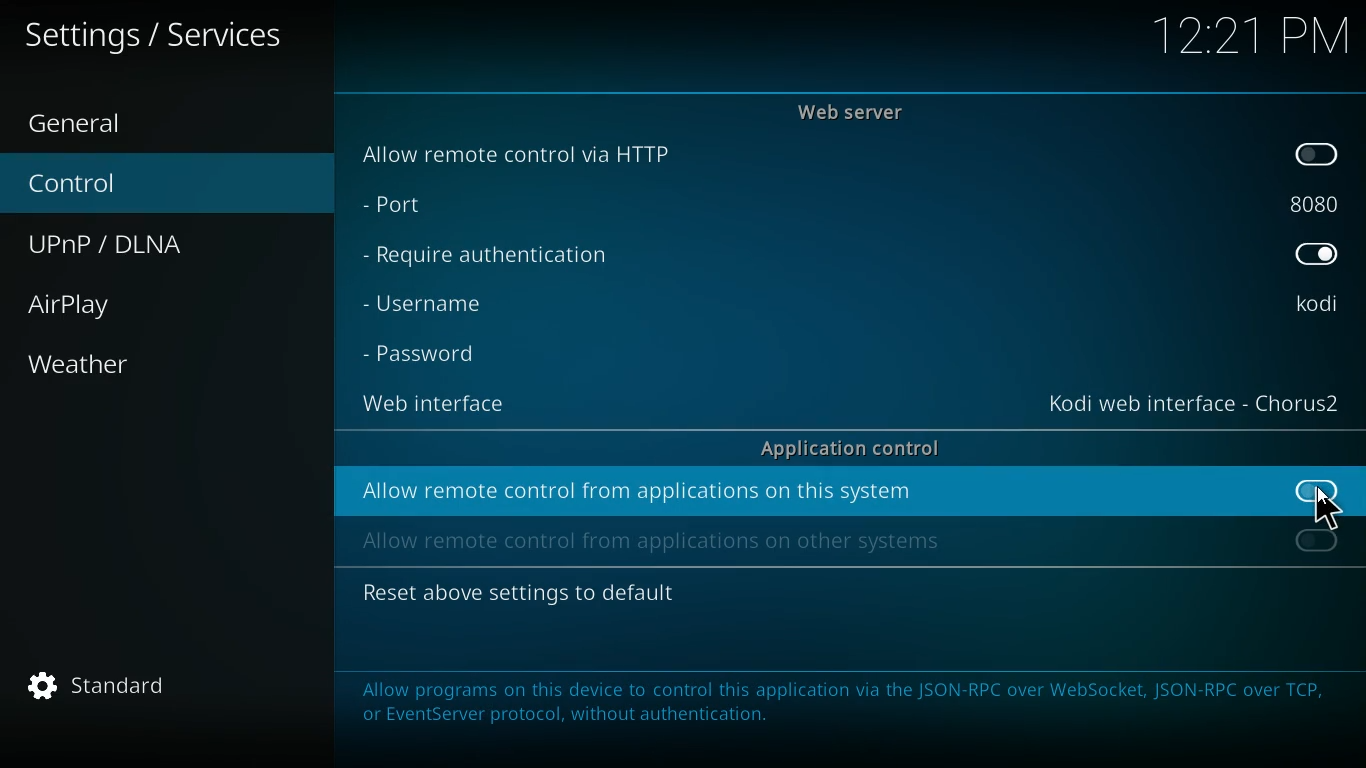 Image resolution: width=1366 pixels, height=768 pixels. What do you see at coordinates (1319, 154) in the screenshot?
I see `off` at bounding box center [1319, 154].